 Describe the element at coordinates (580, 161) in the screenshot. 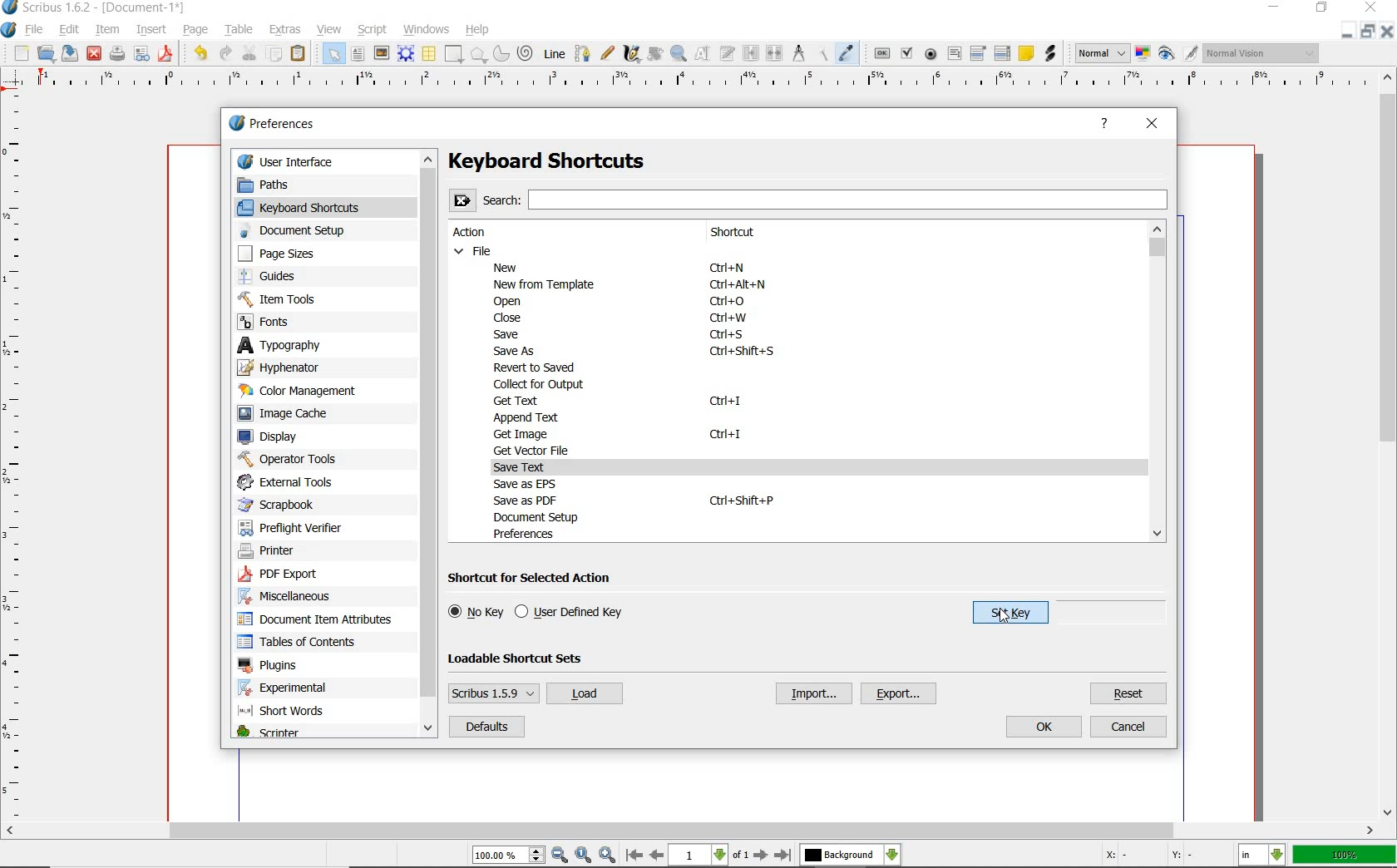

I see `Keyboard Shortcuts` at that location.